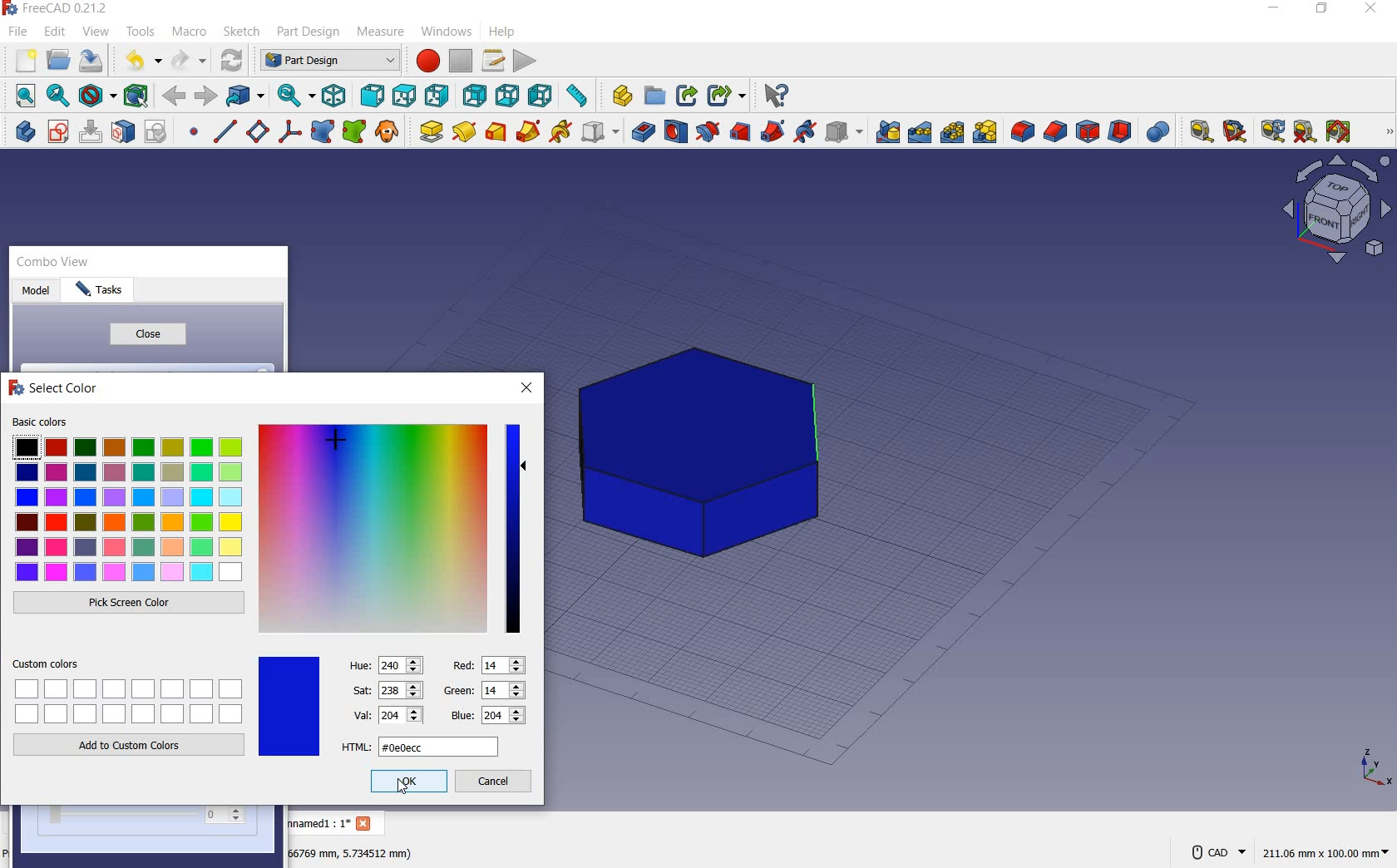 The height and width of the screenshot is (868, 1397). I want to click on measure linear, so click(1197, 133).